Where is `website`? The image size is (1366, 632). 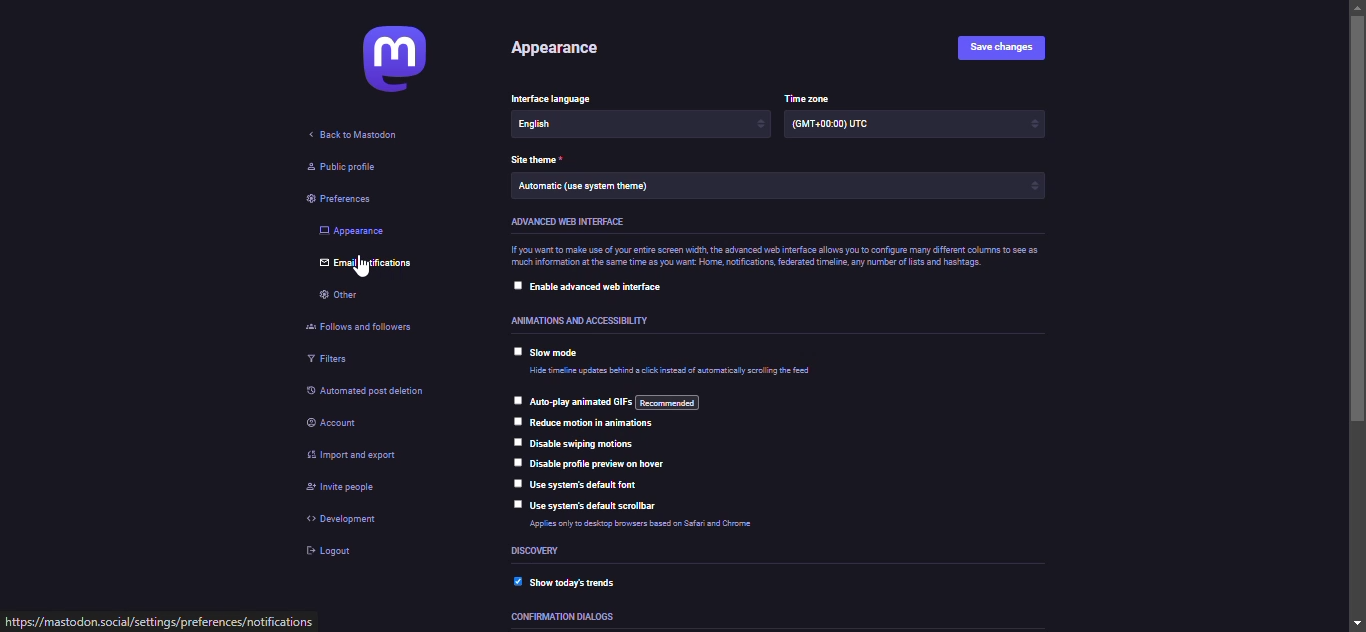
website is located at coordinates (159, 622).